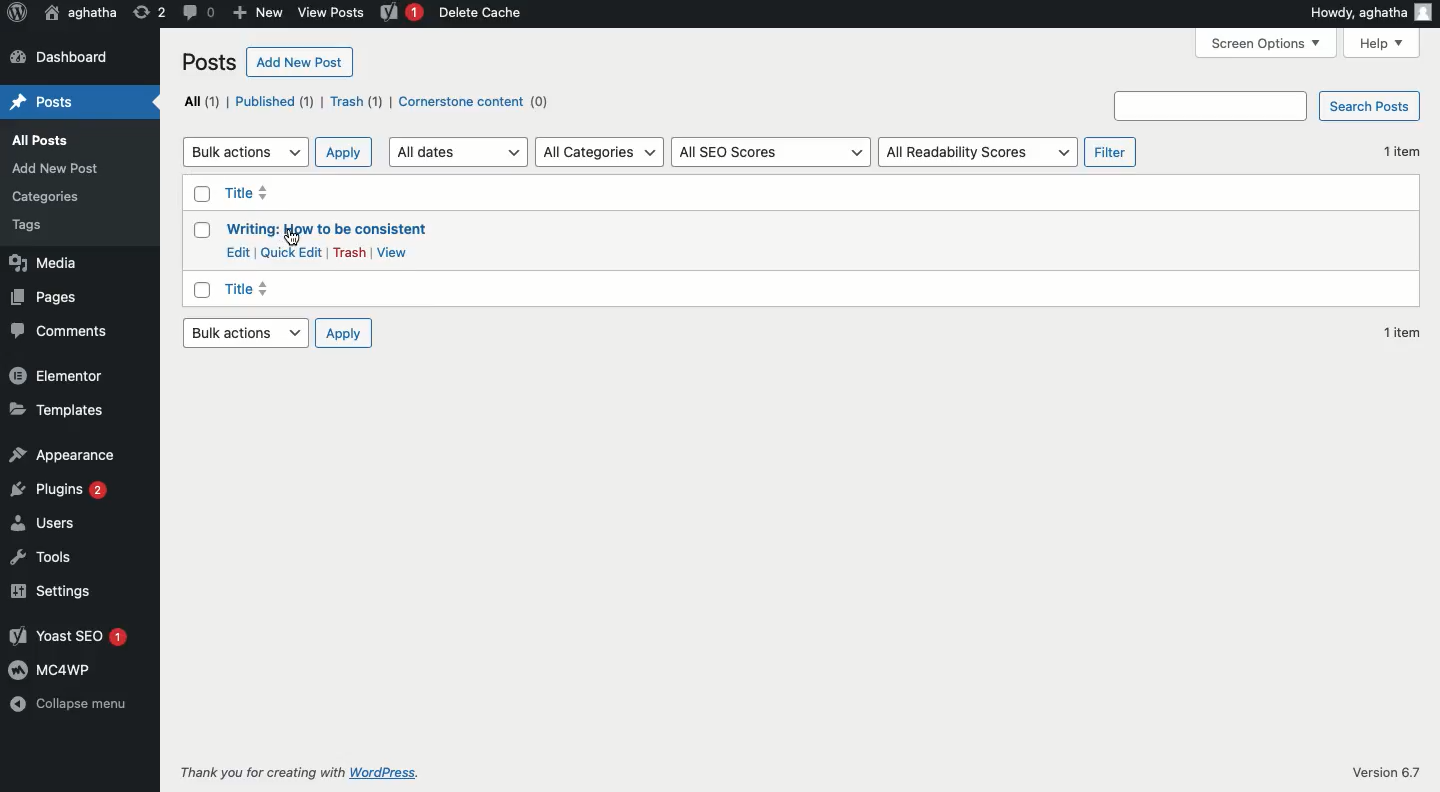 The image size is (1440, 792). I want to click on Collapse menu, so click(77, 703).